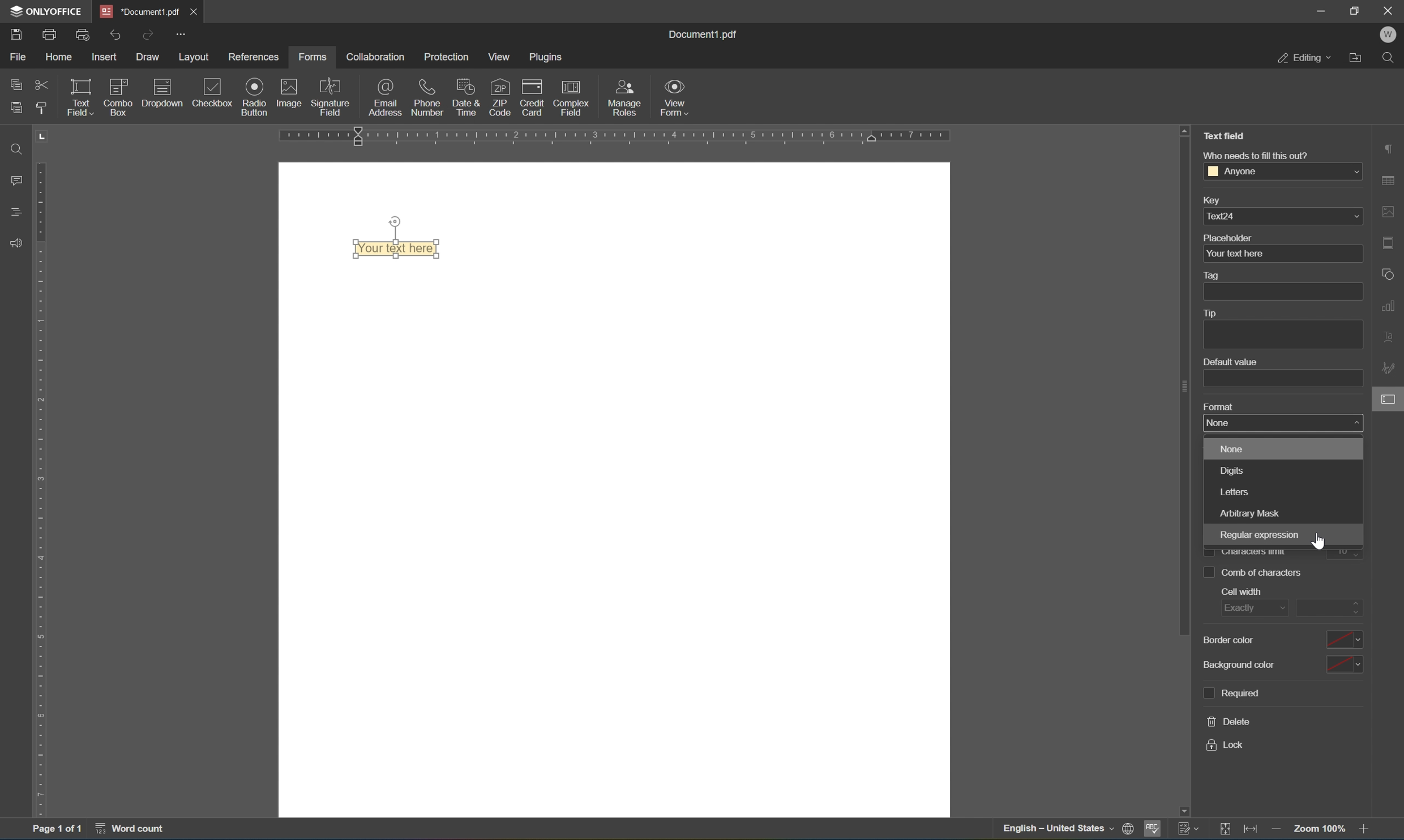 The width and height of the screenshot is (1404, 840). Describe the element at coordinates (701, 32) in the screenshot. I see `document1.pdf` at that location.